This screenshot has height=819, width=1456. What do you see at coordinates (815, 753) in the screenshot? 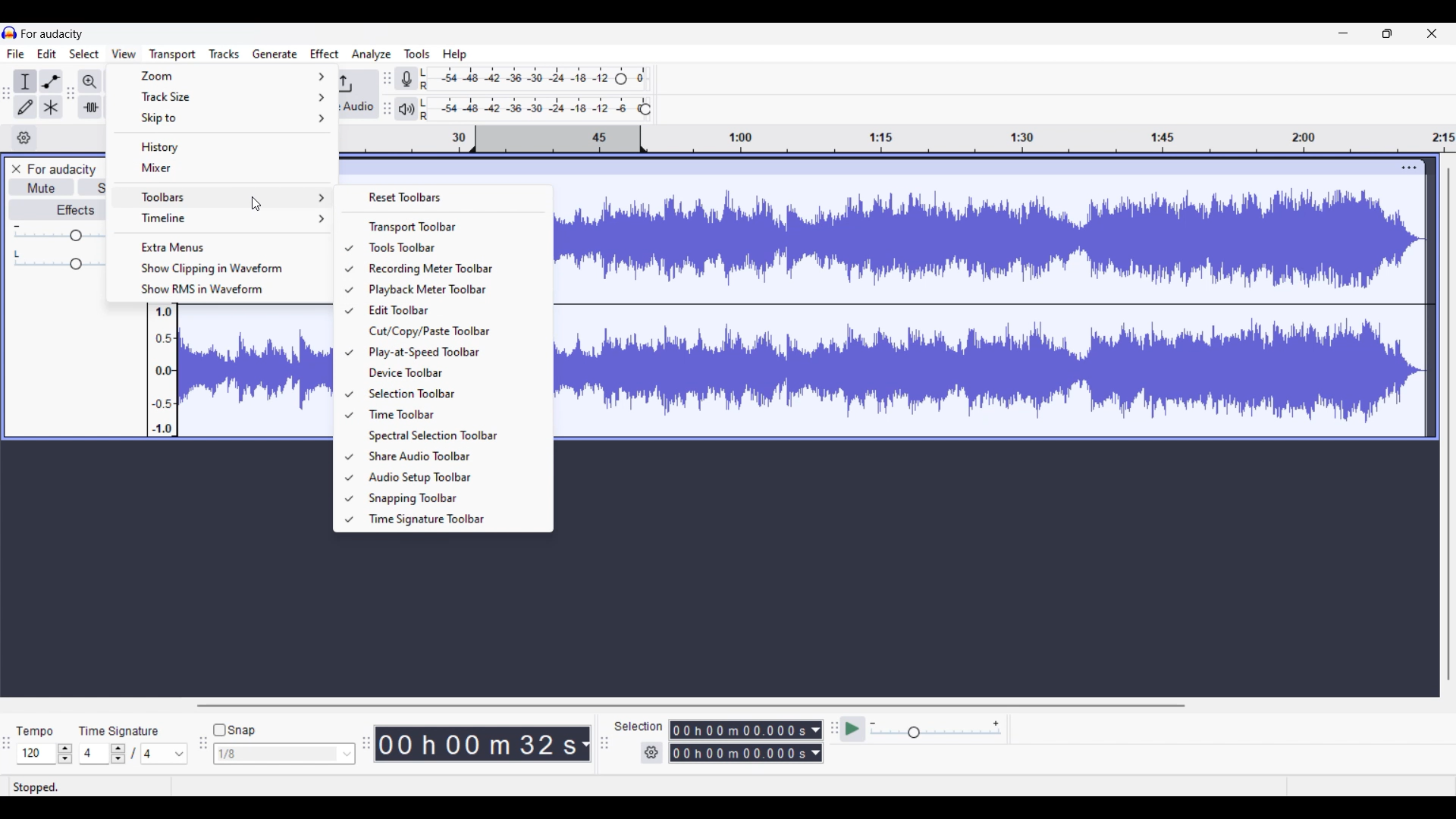
I see `Duration measurement` at bounding box center [815, 753].